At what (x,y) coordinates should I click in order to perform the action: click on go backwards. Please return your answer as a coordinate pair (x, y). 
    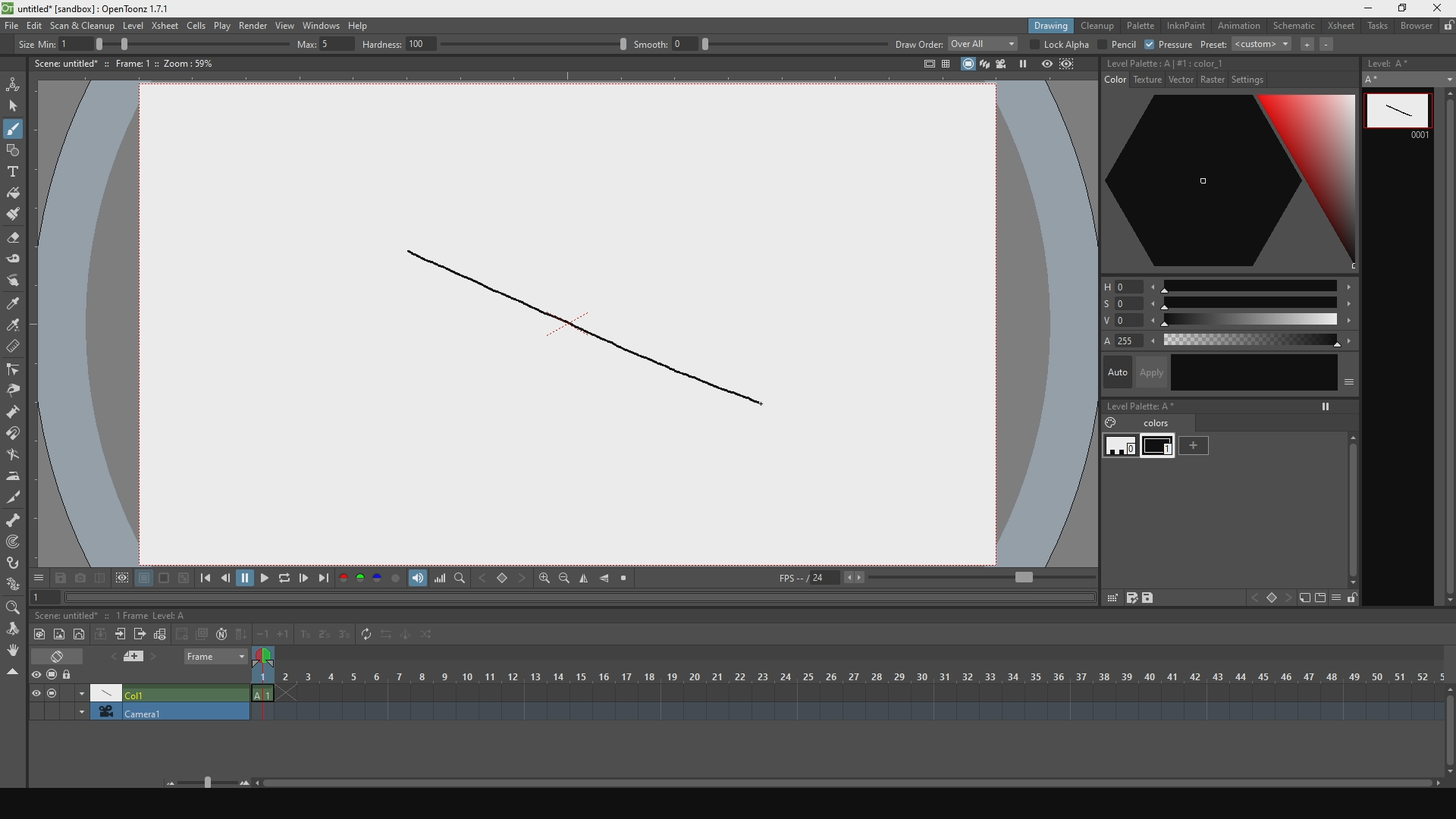
    Looking at the image, I should click on (224, 579).